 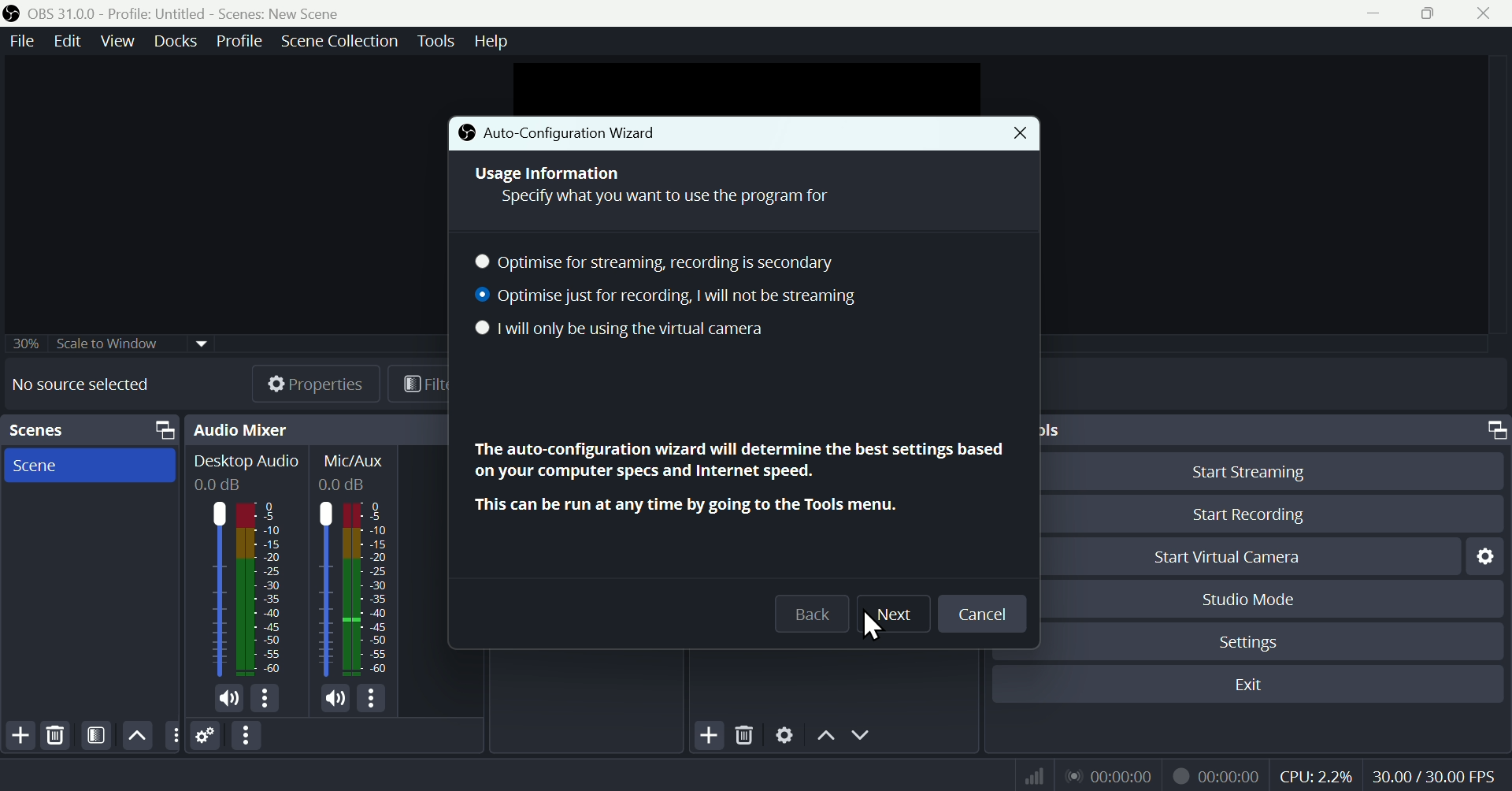 I want to click on minimise, so click(x=1369, y=13).